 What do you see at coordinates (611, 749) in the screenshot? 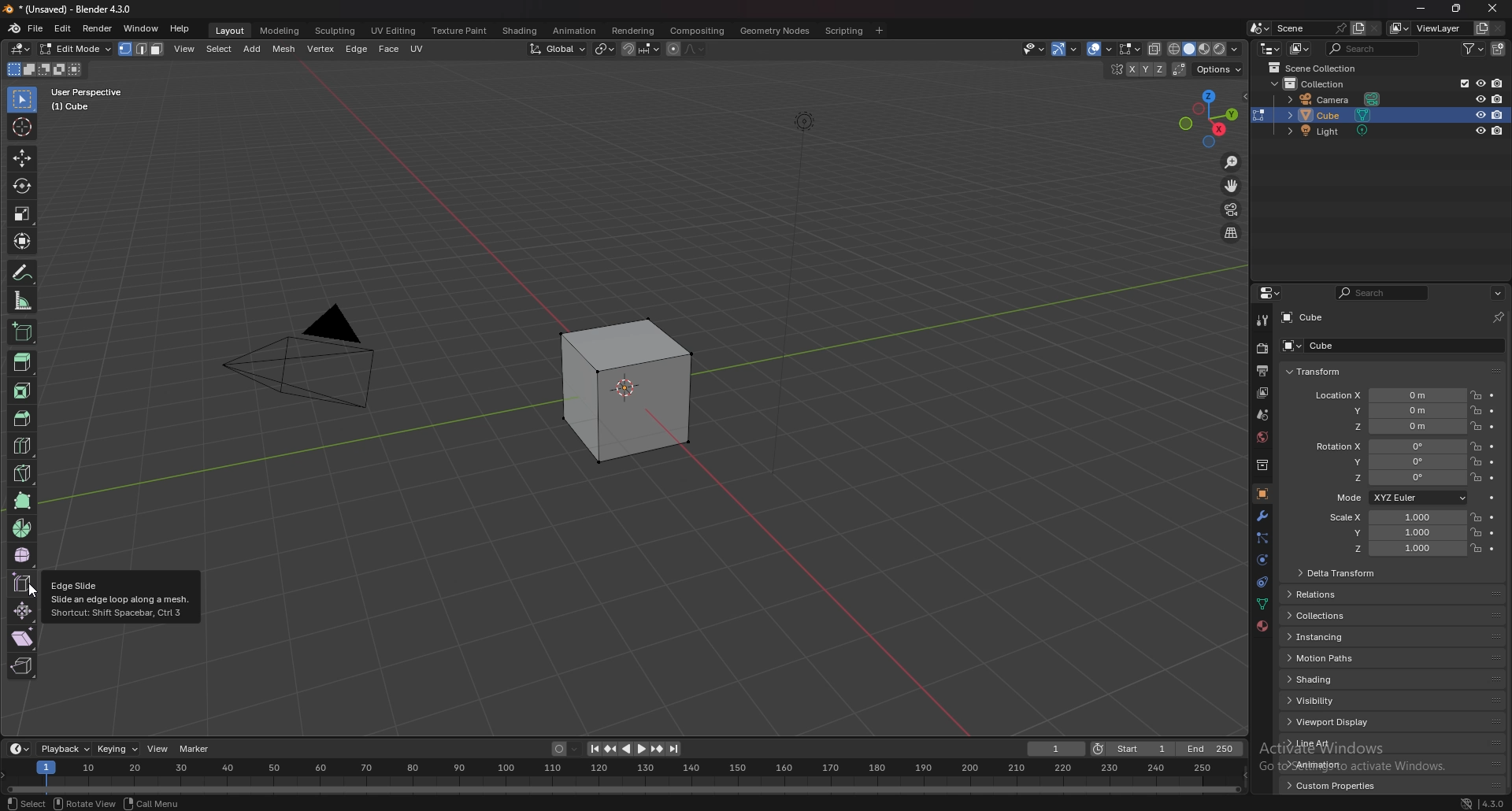
I see `jump to keyframe` at bounding box center [611, 749].